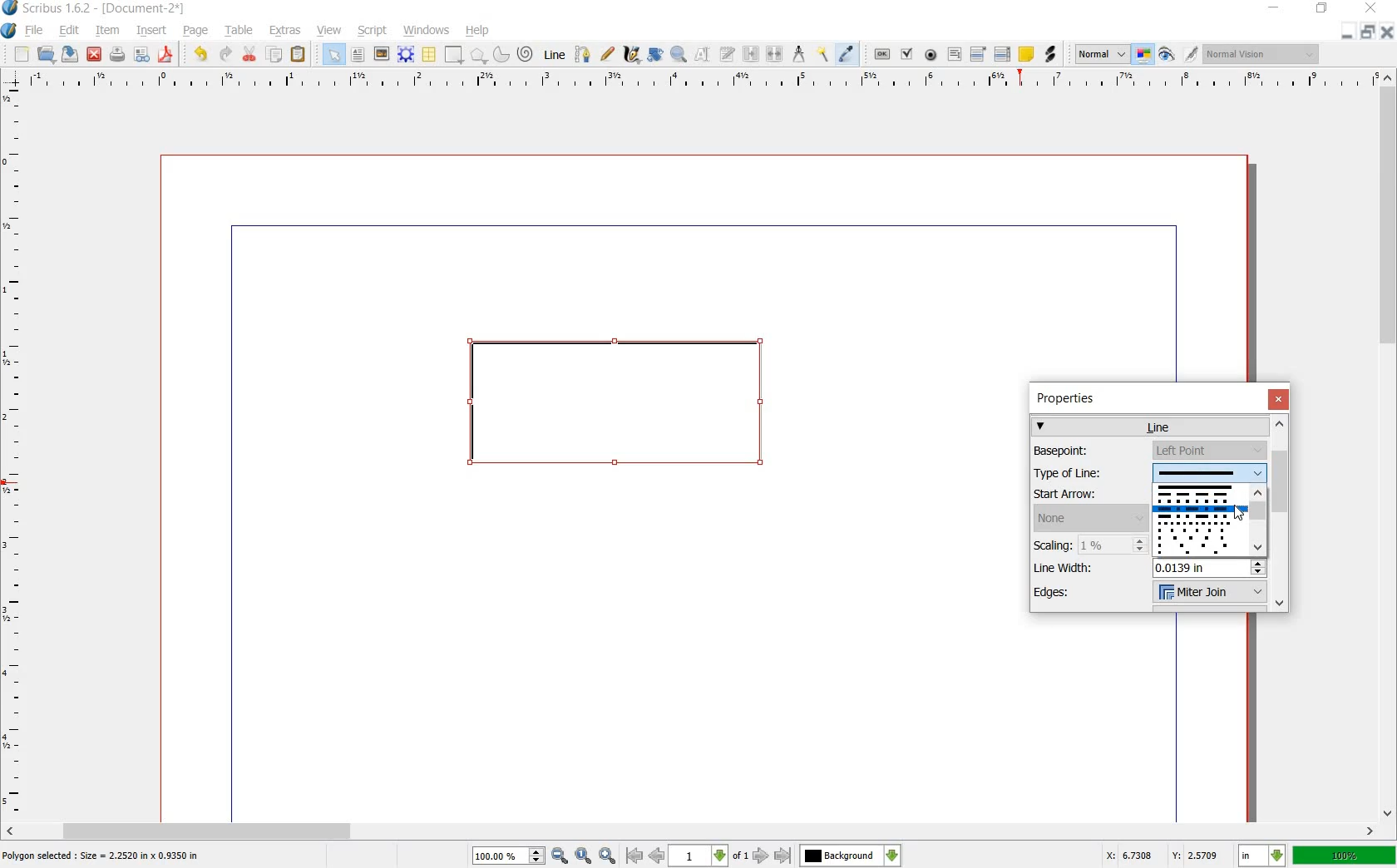  What do you see at coordinates (555, 52) in the screenshot?
I see `LINE` at bounding box center [555, 52].